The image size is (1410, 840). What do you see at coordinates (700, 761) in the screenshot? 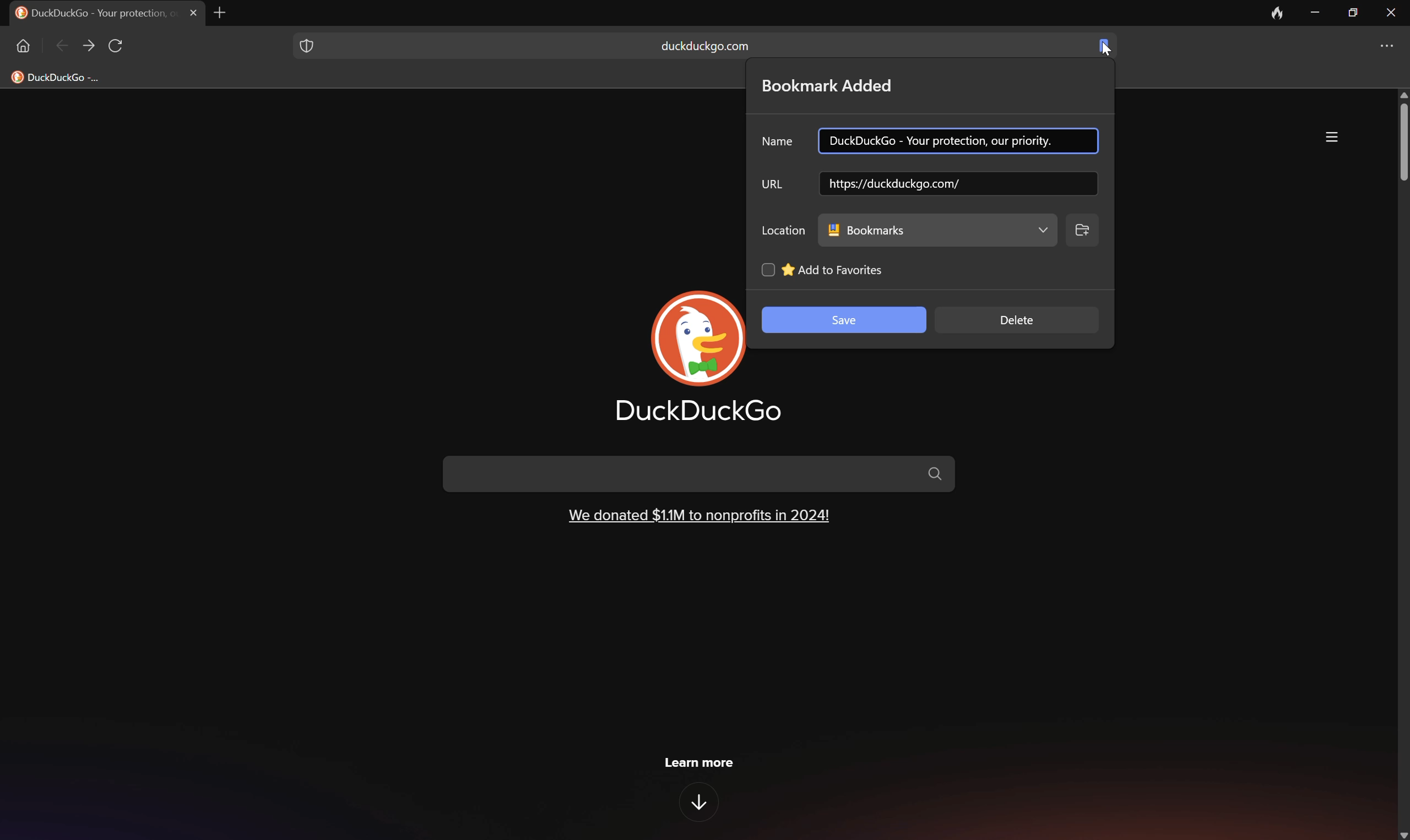
I see `Learn more` at bounding box center [700, 761].